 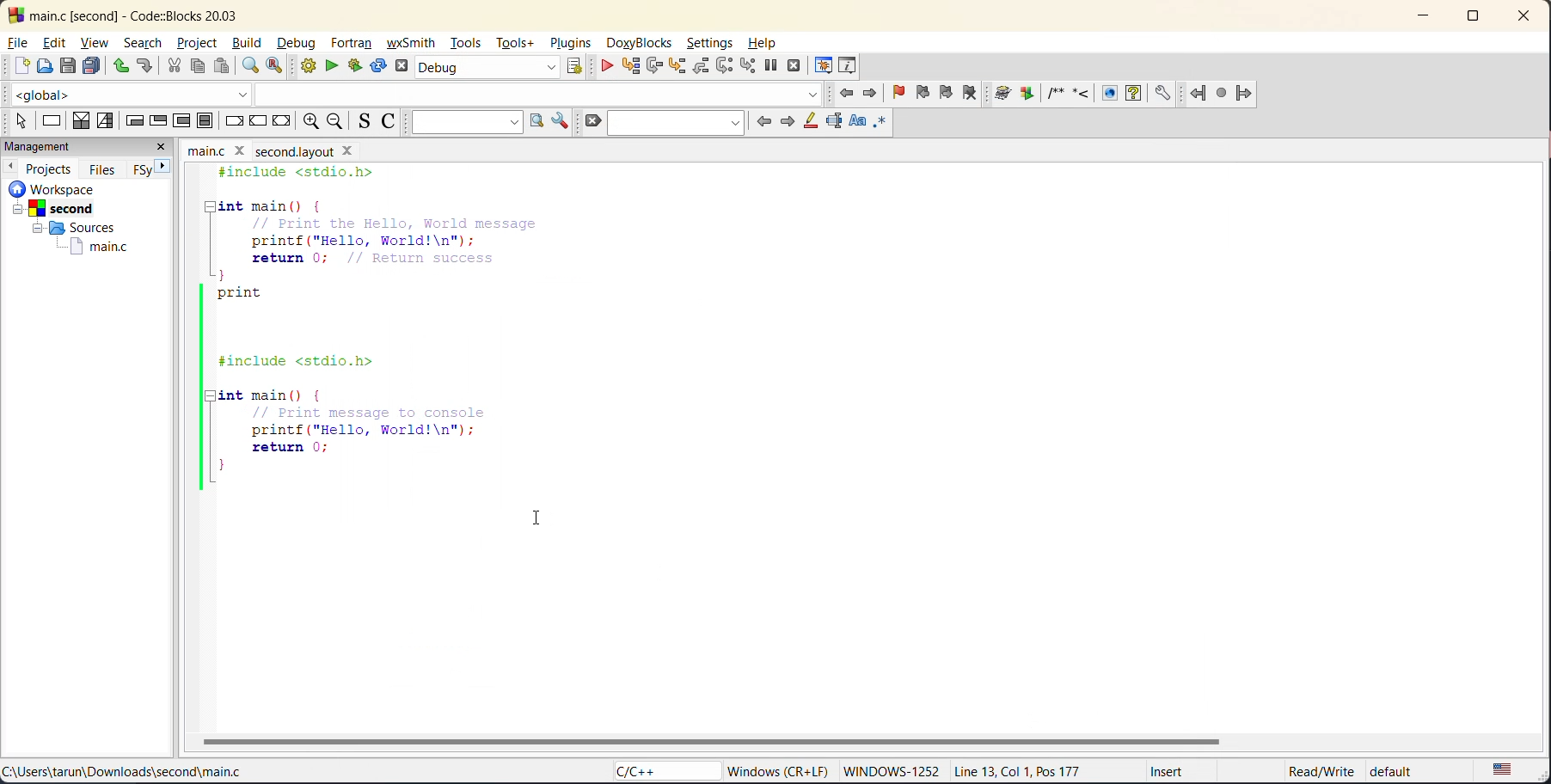 What do you see at coordinates (361, 65) in the screenshot?
I see `build and run` at bounding box center [361, 65].